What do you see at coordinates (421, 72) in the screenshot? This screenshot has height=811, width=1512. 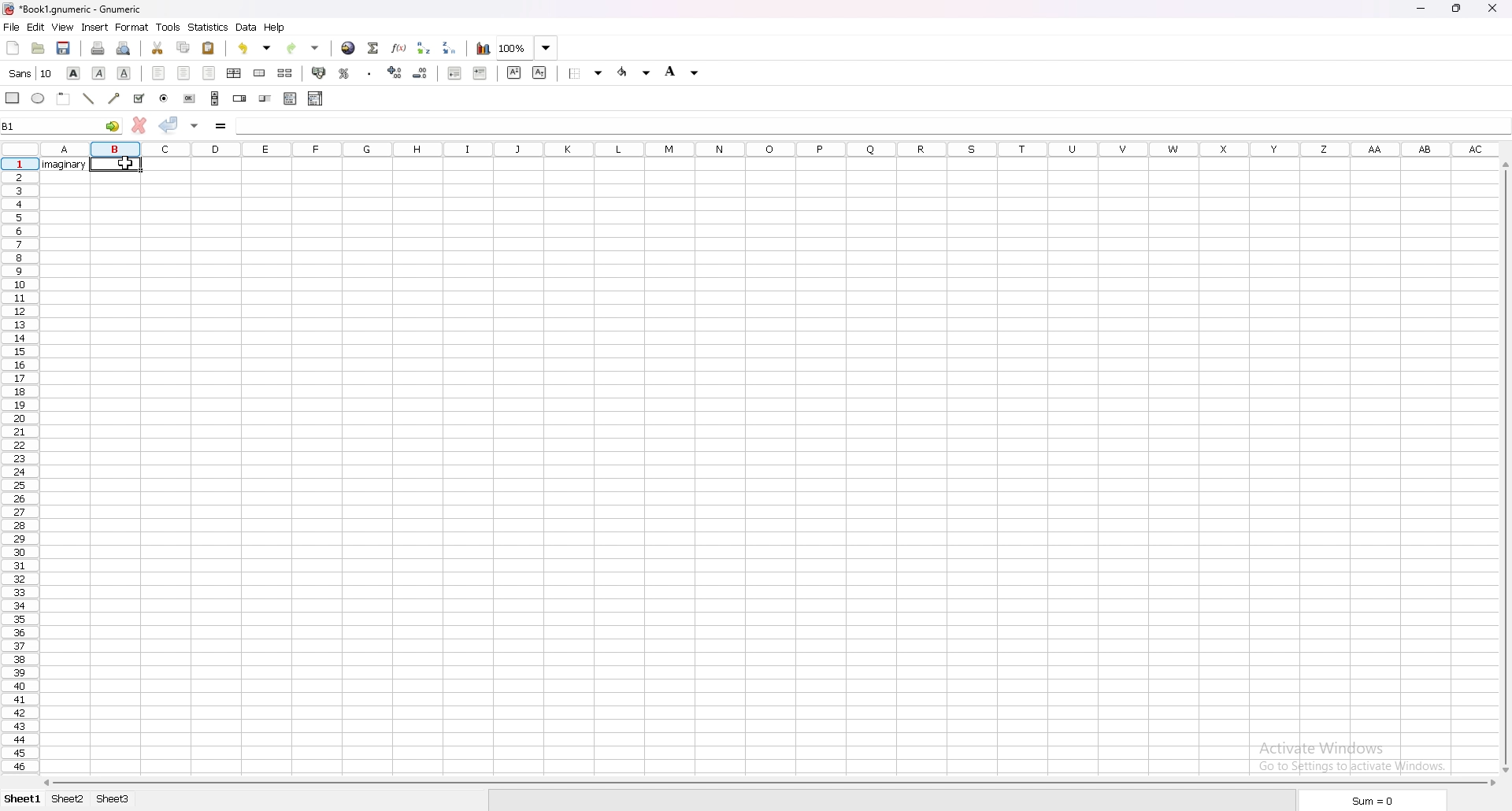 I see `decrease decimals` at bounding box center [421, 72].